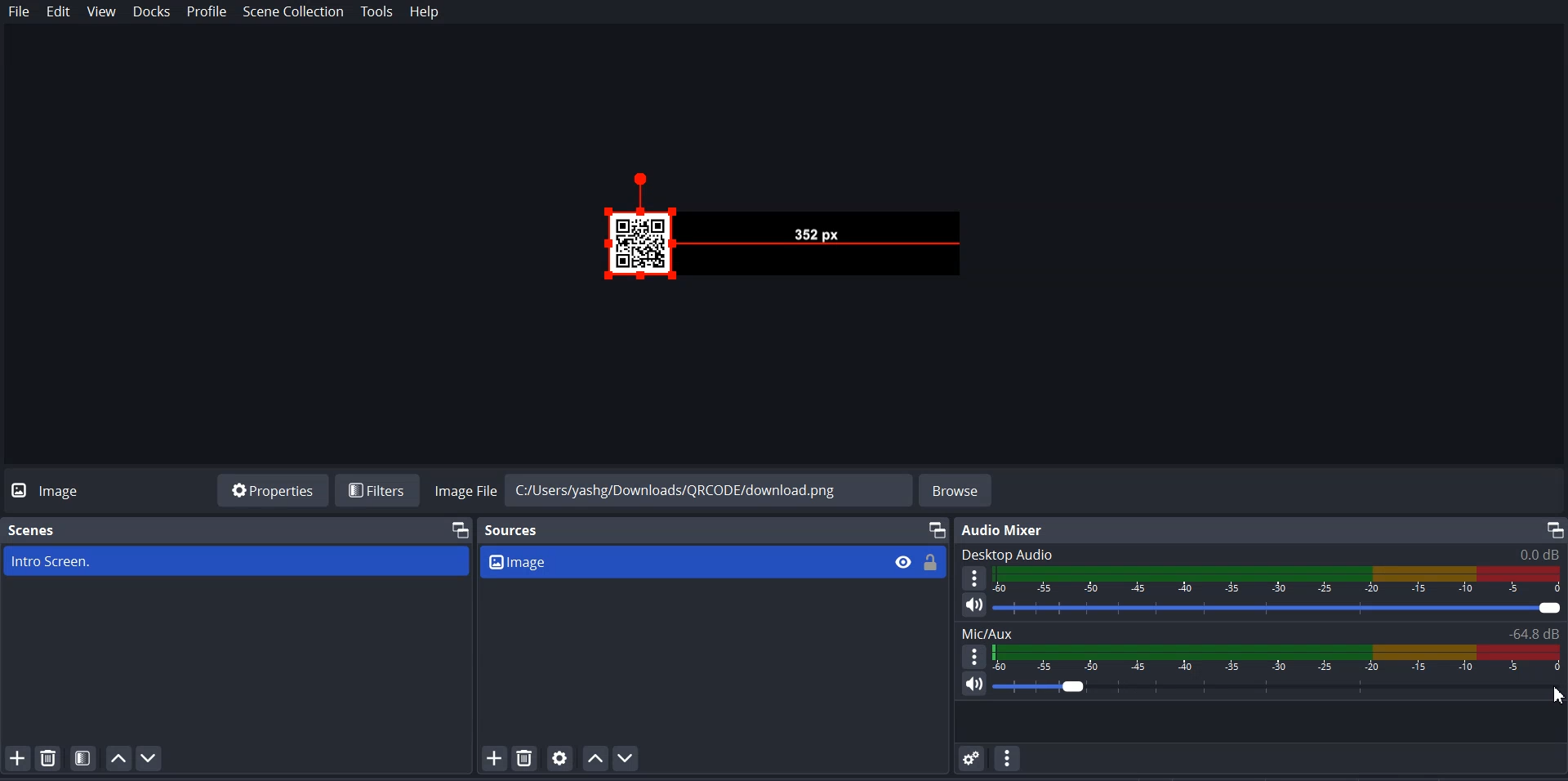 This screenshot has height=781, width=1568. What do you see at coordinates (973, 577) in the screenshot?
I see `More` at bounding box center [973, 577].